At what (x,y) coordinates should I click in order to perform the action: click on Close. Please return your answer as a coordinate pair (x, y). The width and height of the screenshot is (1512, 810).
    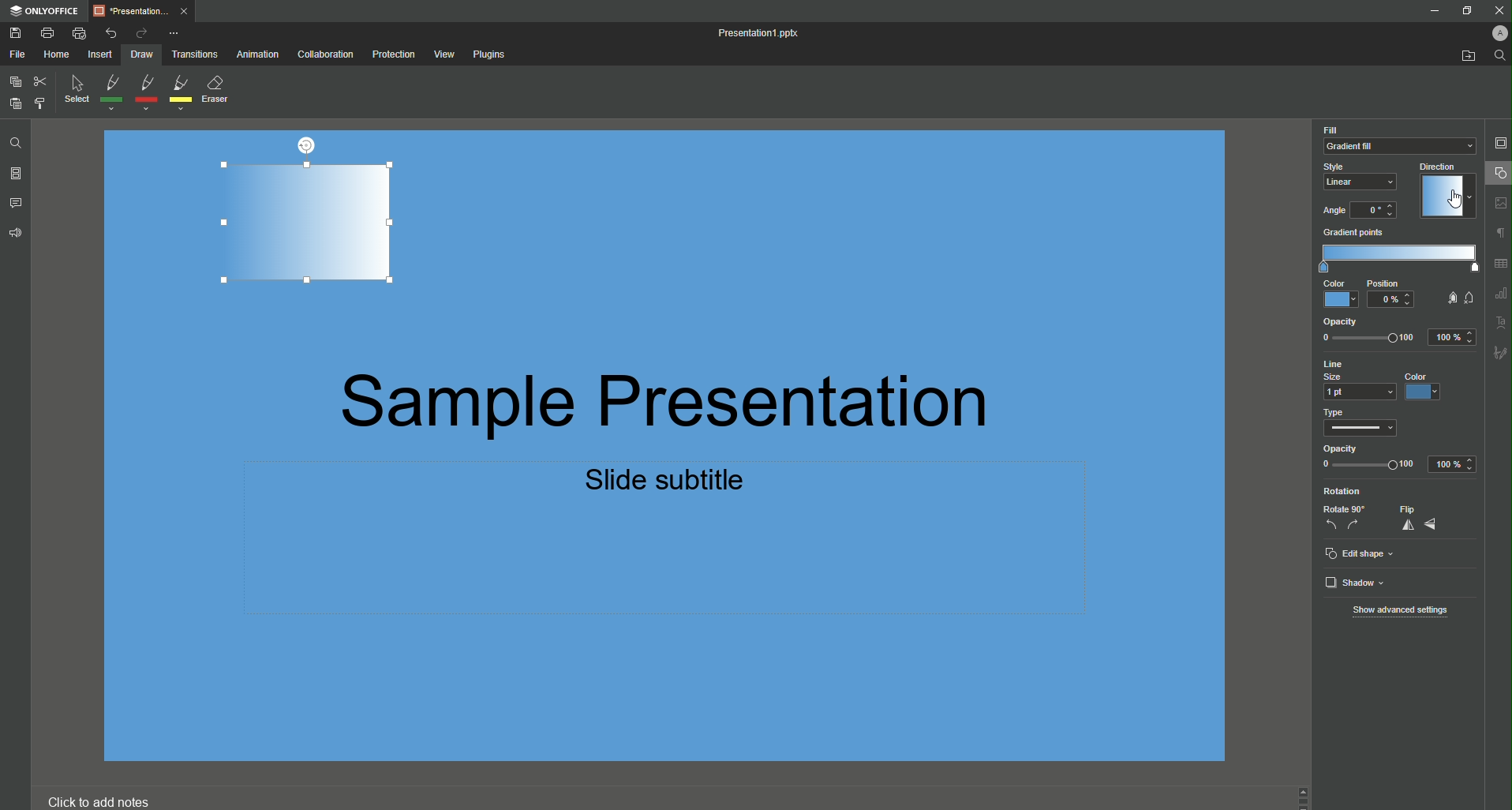
    Looking at the image, I should click on (1495, 10).